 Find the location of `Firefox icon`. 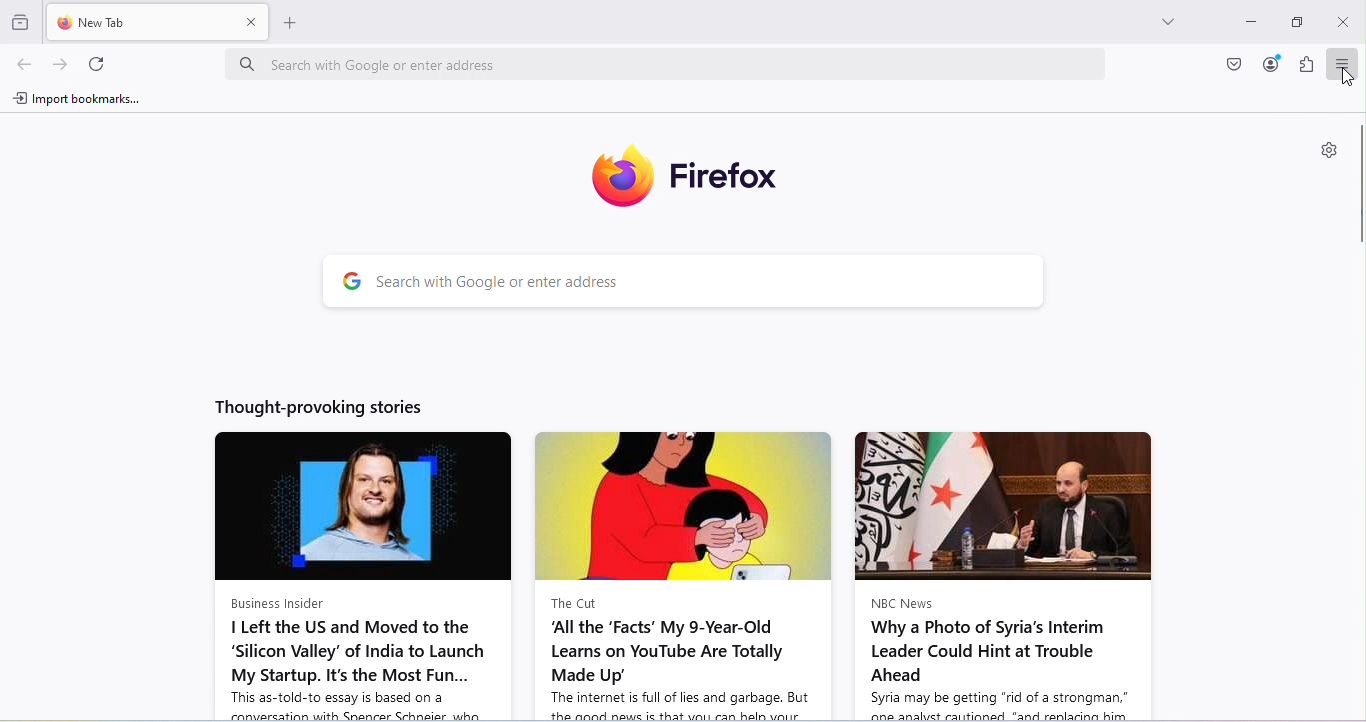

Firefox icon is located at coordinates (669, 170).